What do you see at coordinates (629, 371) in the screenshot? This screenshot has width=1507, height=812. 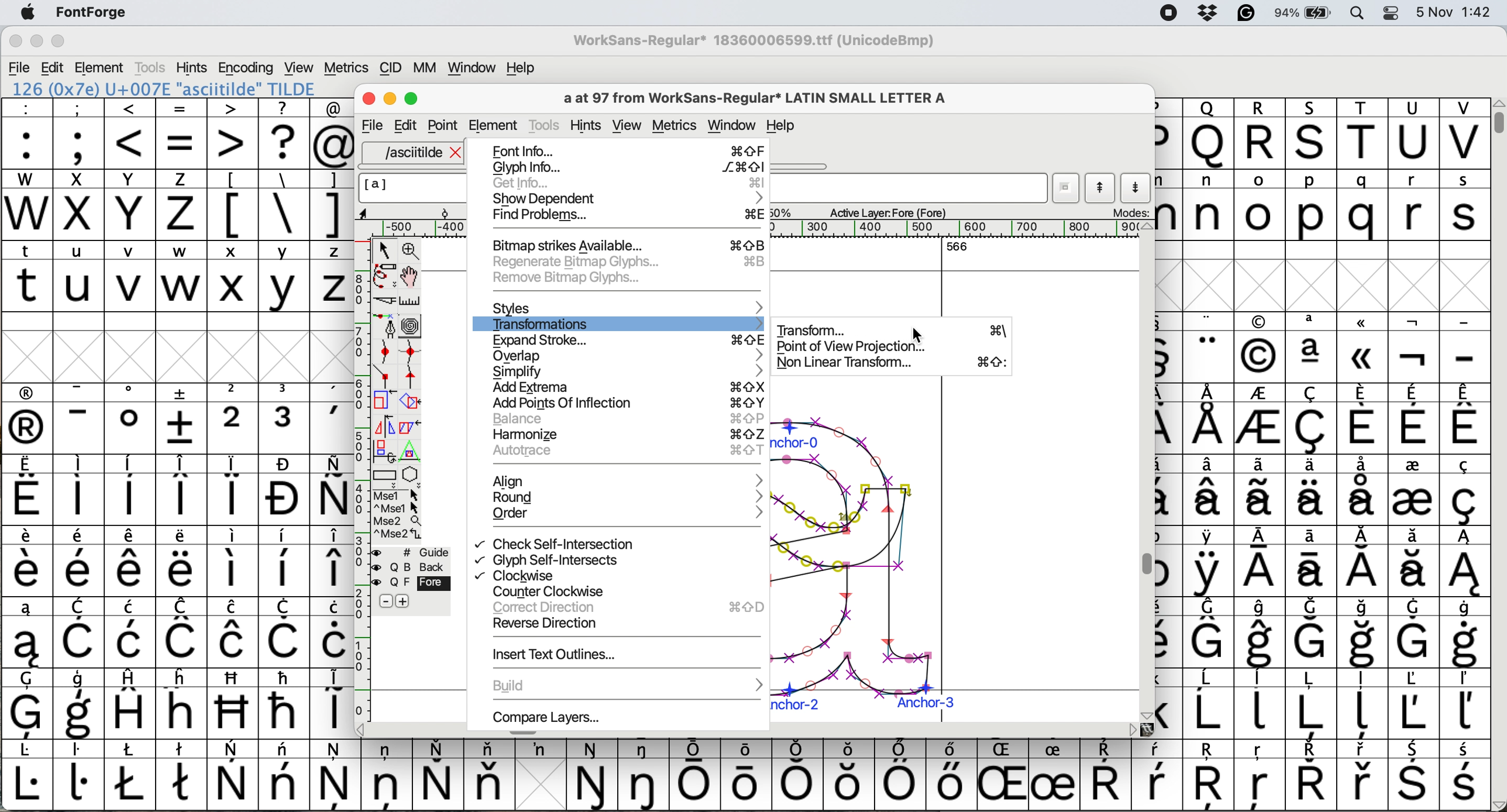 I see `simplify` at bounding box center [629, 371].